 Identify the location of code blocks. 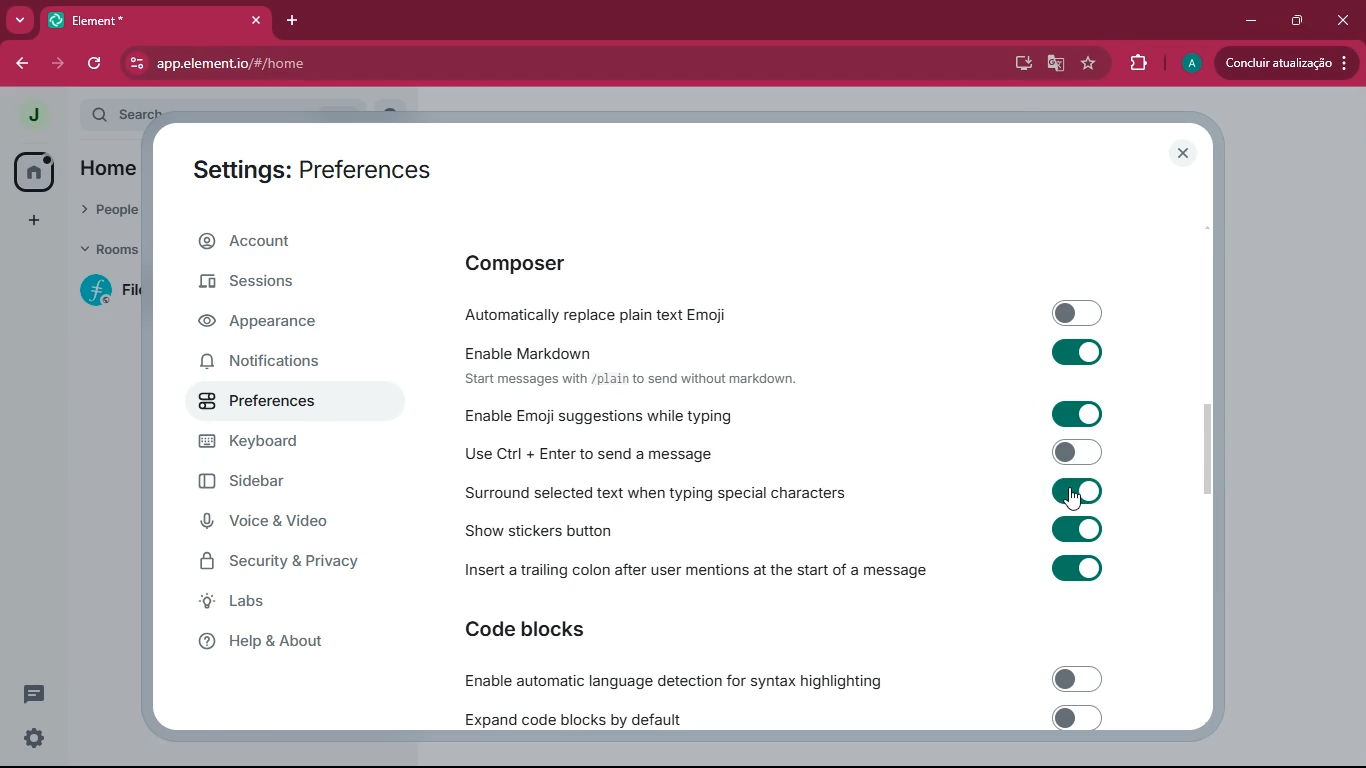
(559, 633).